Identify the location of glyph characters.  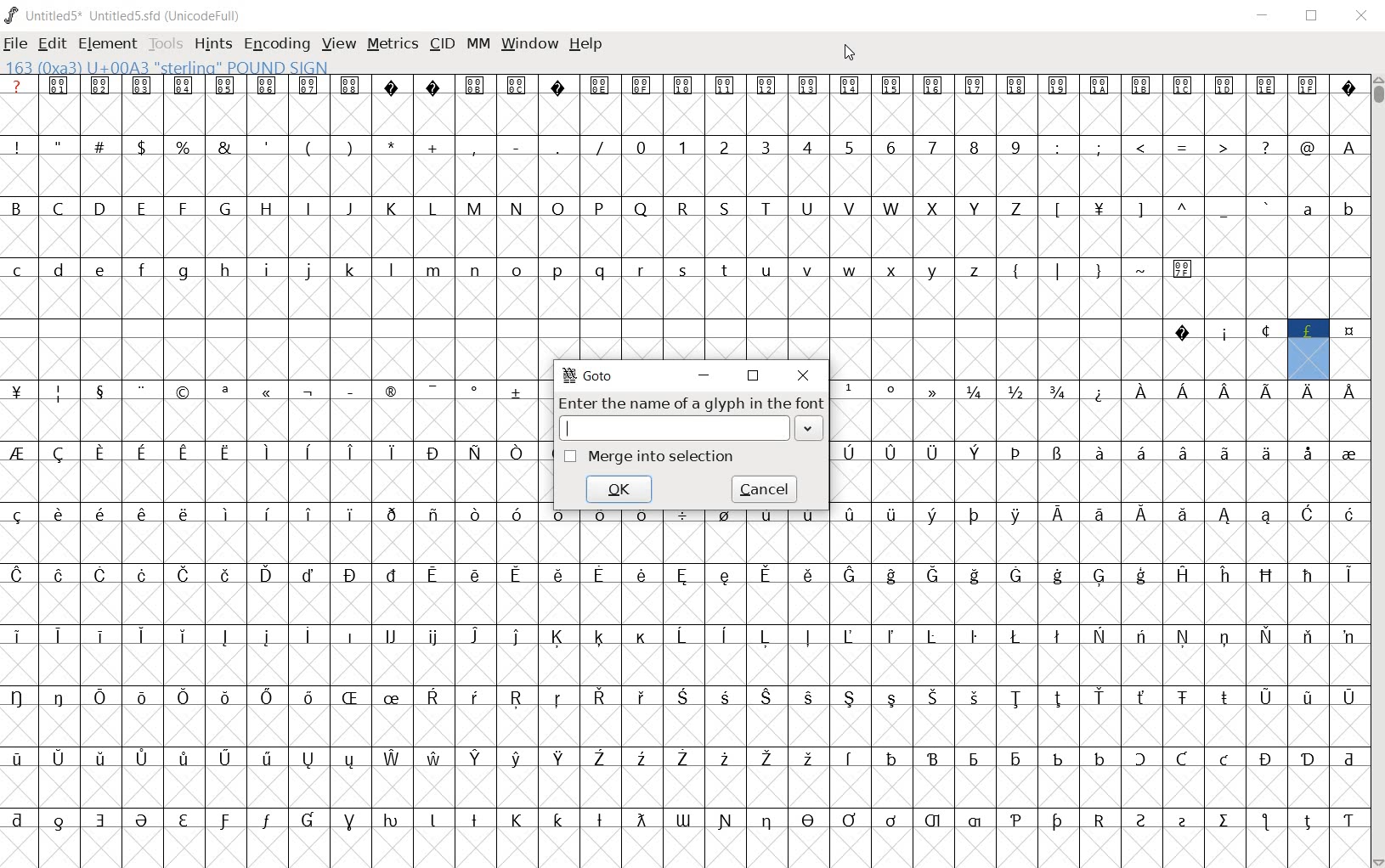
(954, 197).